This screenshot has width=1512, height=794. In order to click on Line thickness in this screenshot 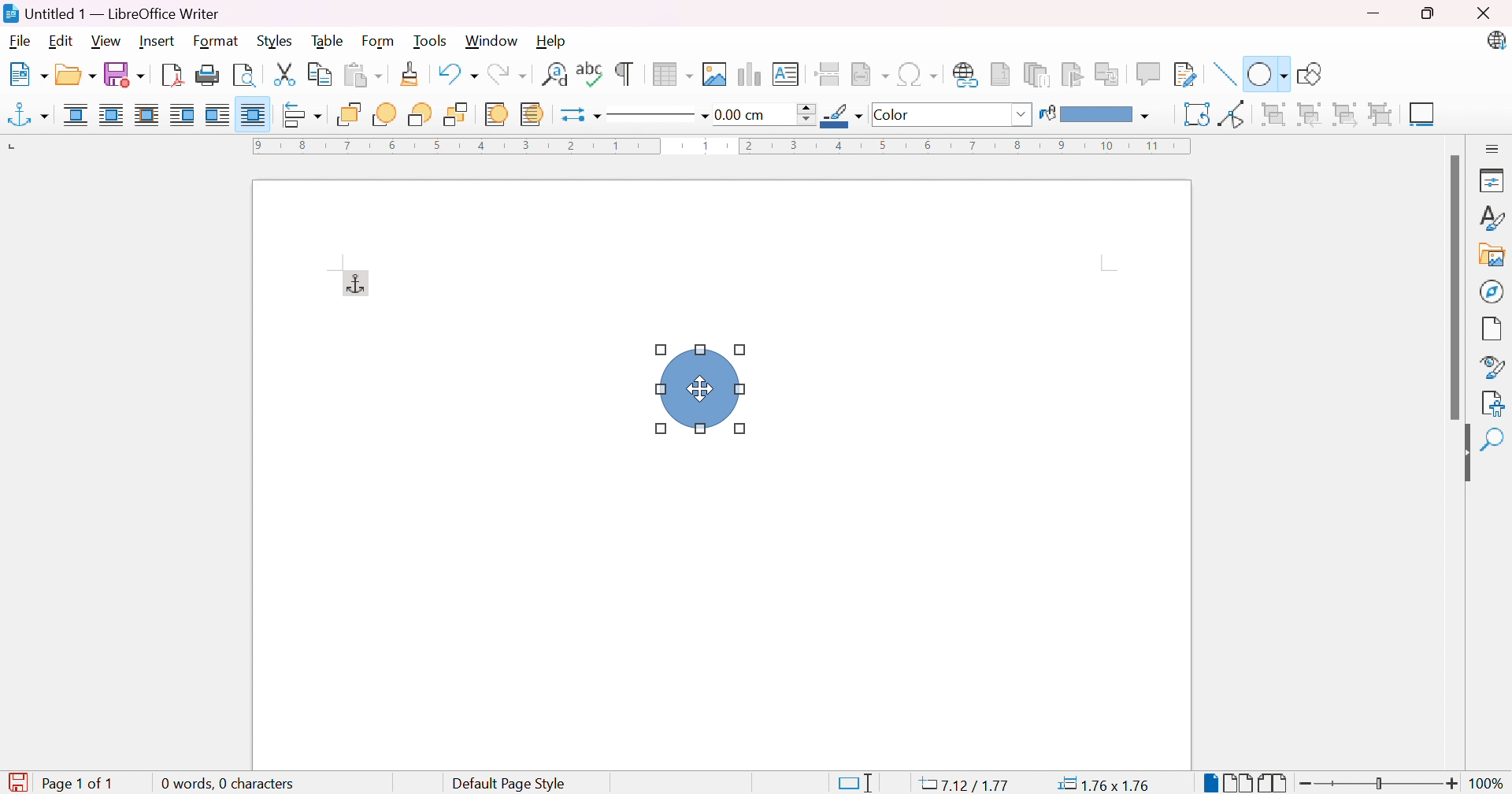, I will do `click(765, 115)`.